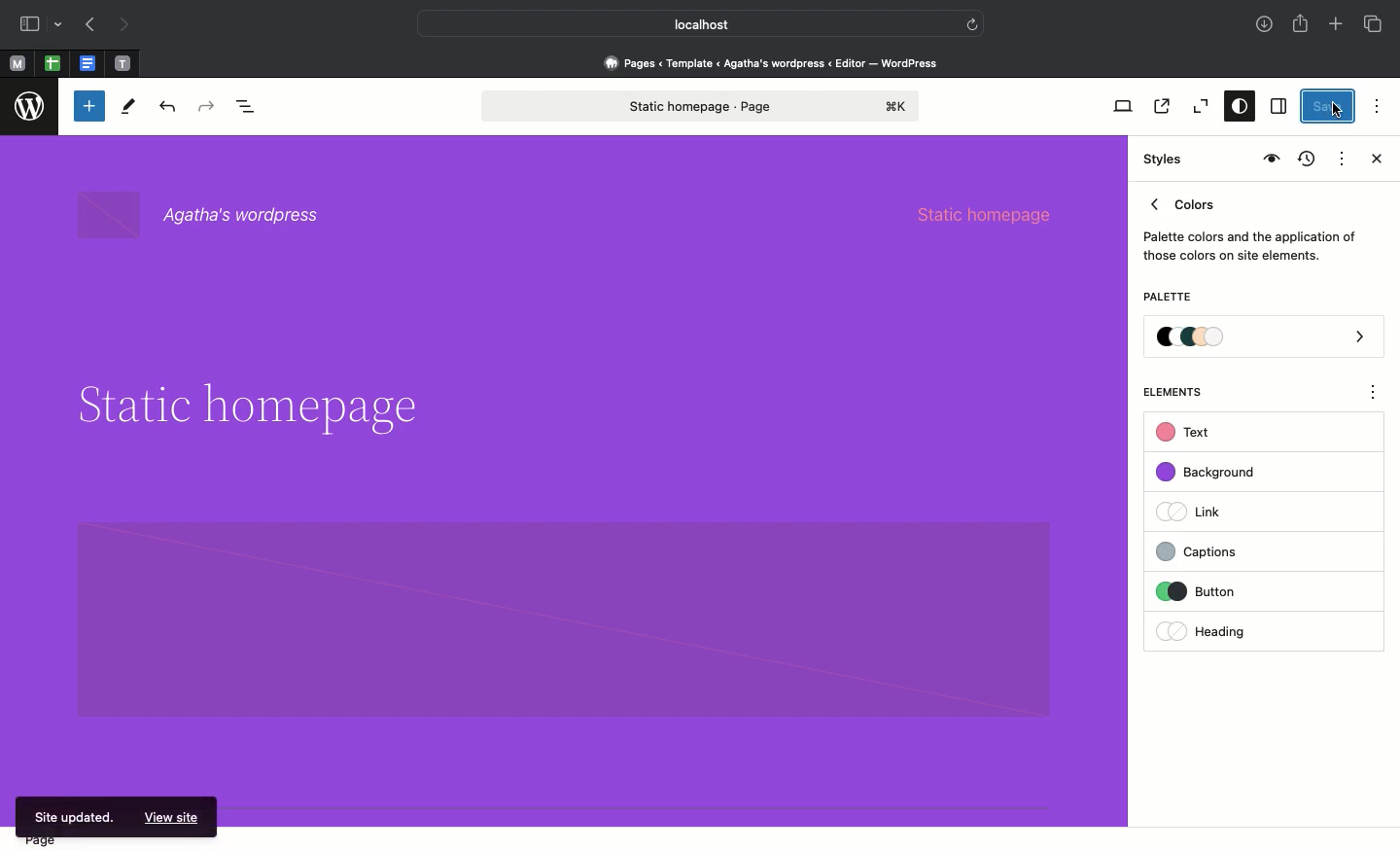 This screenshot has width=1400, height=850. I want to click on Colors, so click(1250, 226).